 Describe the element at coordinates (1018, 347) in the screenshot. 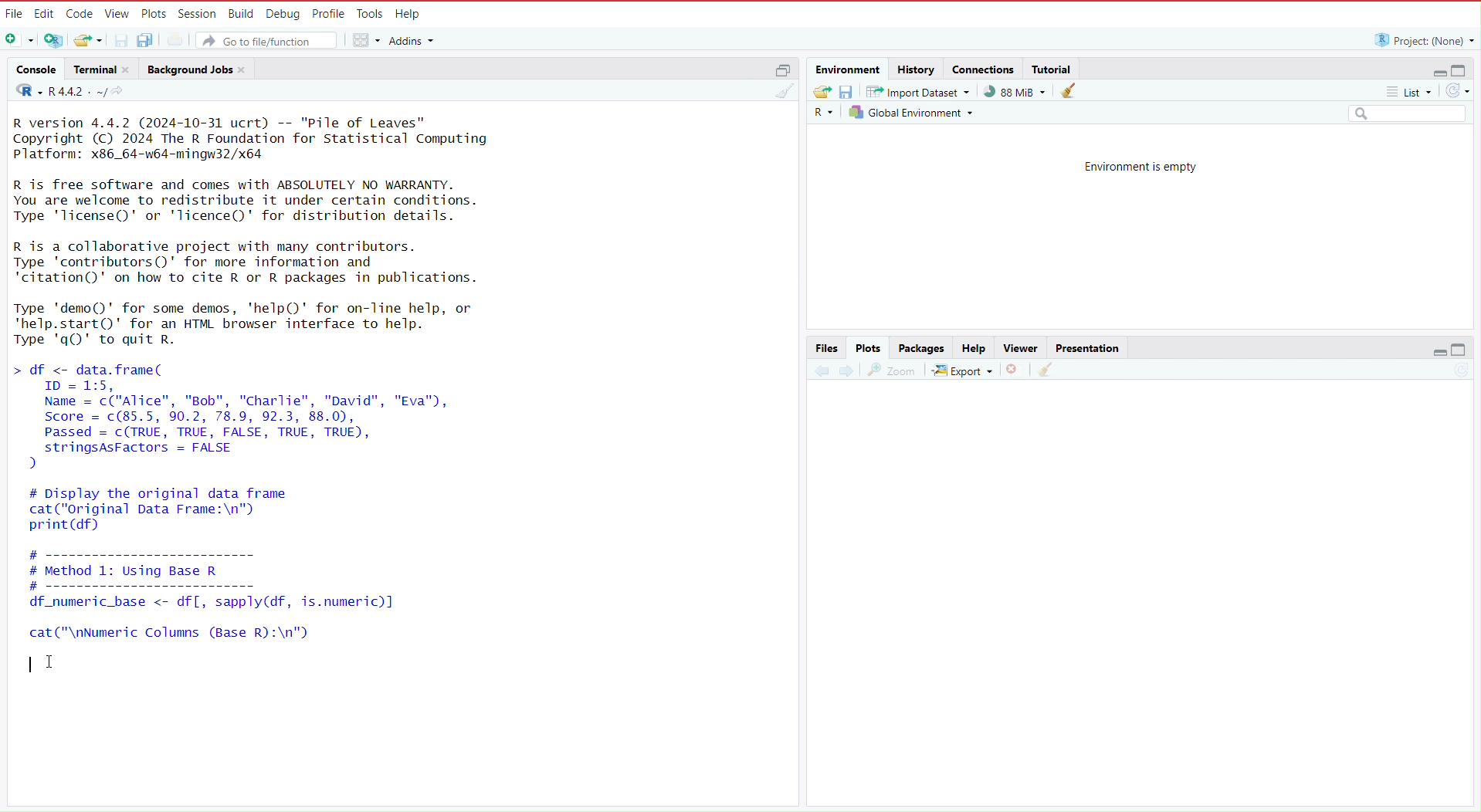

I see `Viewer` at that location.